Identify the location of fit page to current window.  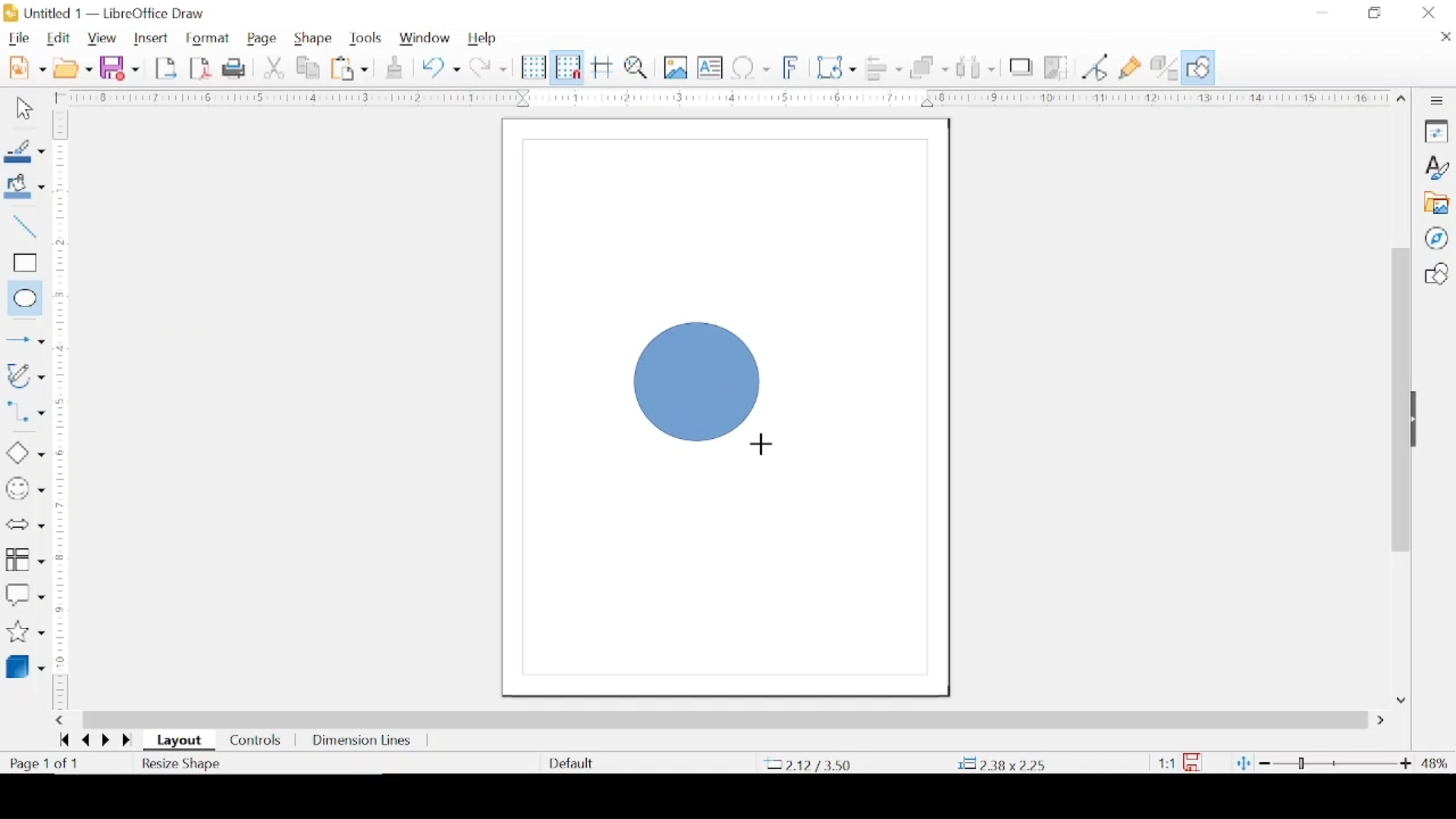
(1243, 763).